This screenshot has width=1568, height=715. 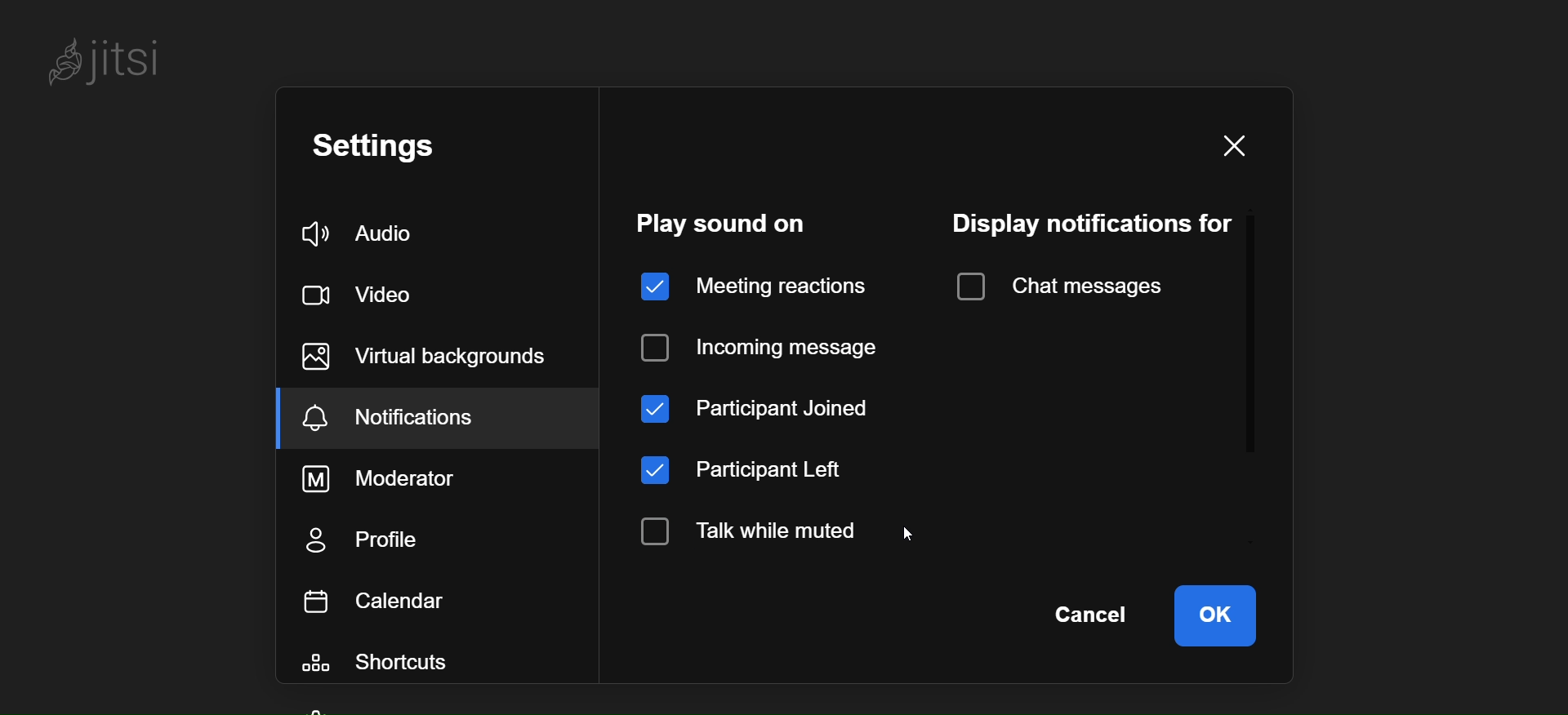 What do you see at coordinates (390, 539) in the screenshot?
I see `profile` at bounding box center [390, 539].